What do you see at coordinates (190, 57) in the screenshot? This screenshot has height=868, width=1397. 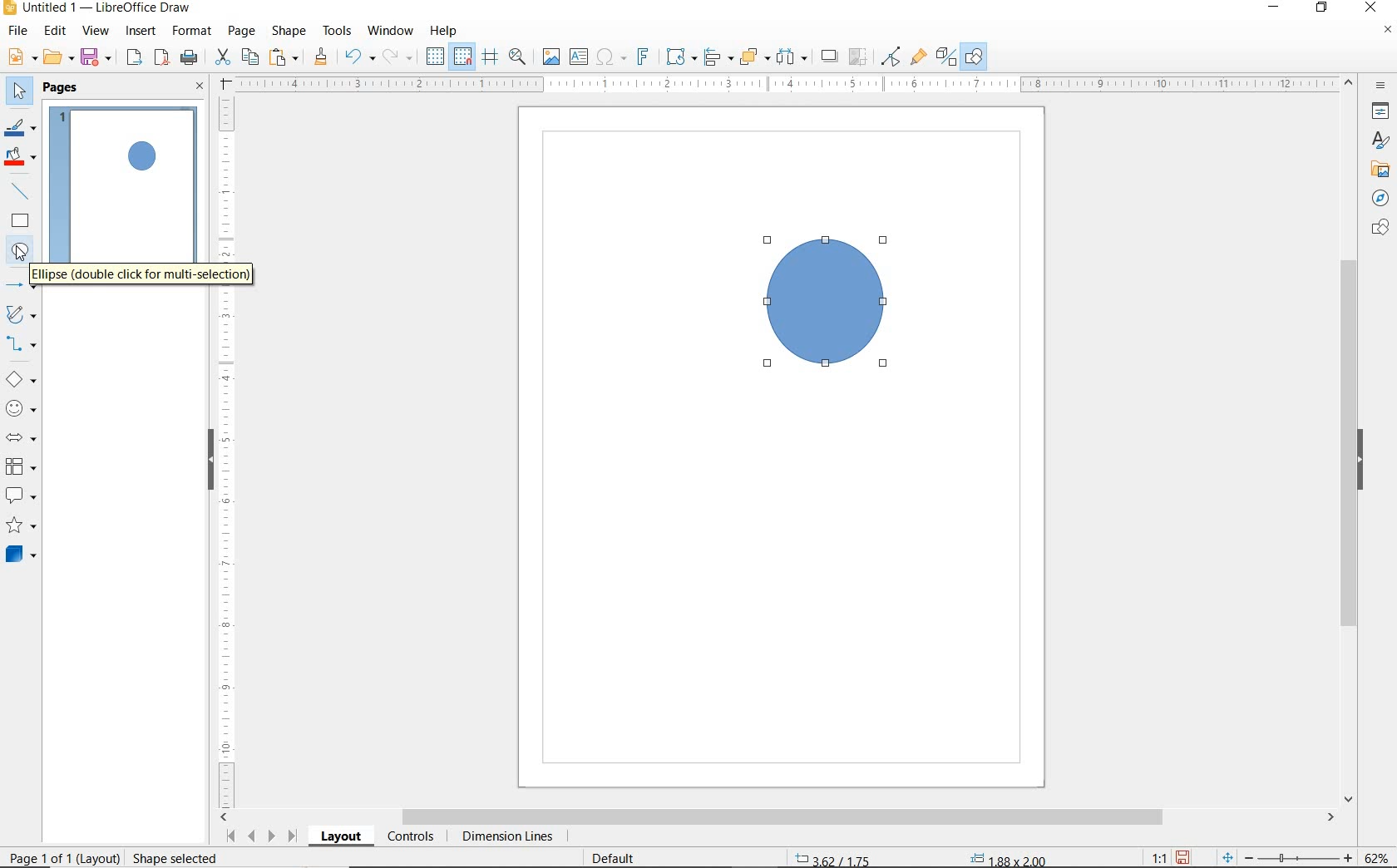 I see `PRINT` at bounding box center [190, 57].